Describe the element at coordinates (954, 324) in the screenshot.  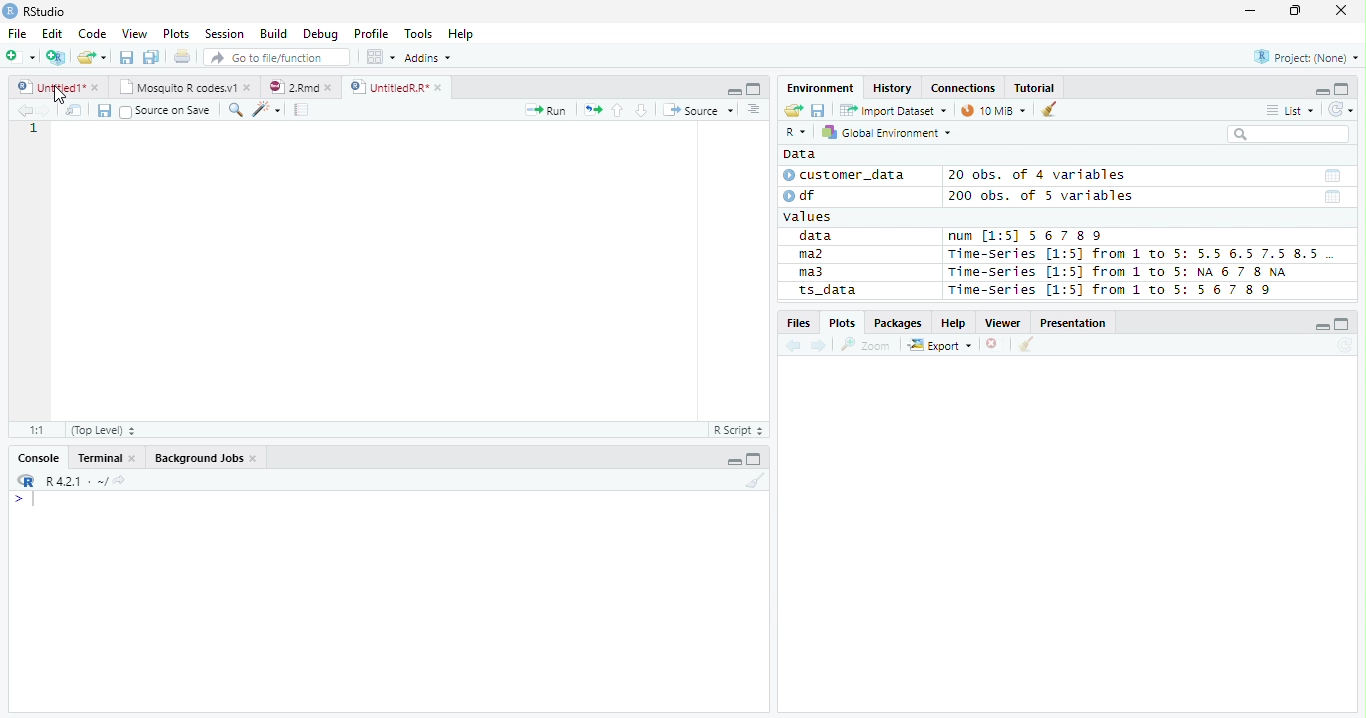
I see `Help` at that location.